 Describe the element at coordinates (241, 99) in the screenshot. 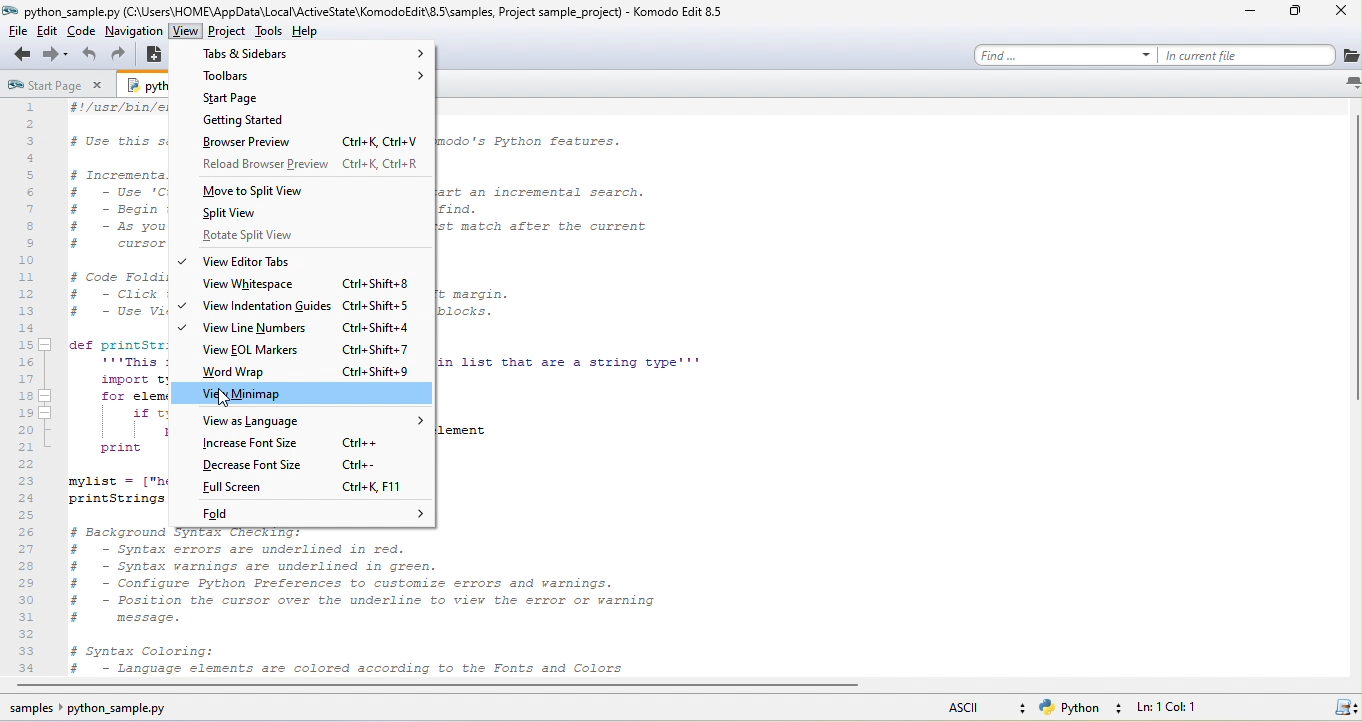

I see `start page` at that location.